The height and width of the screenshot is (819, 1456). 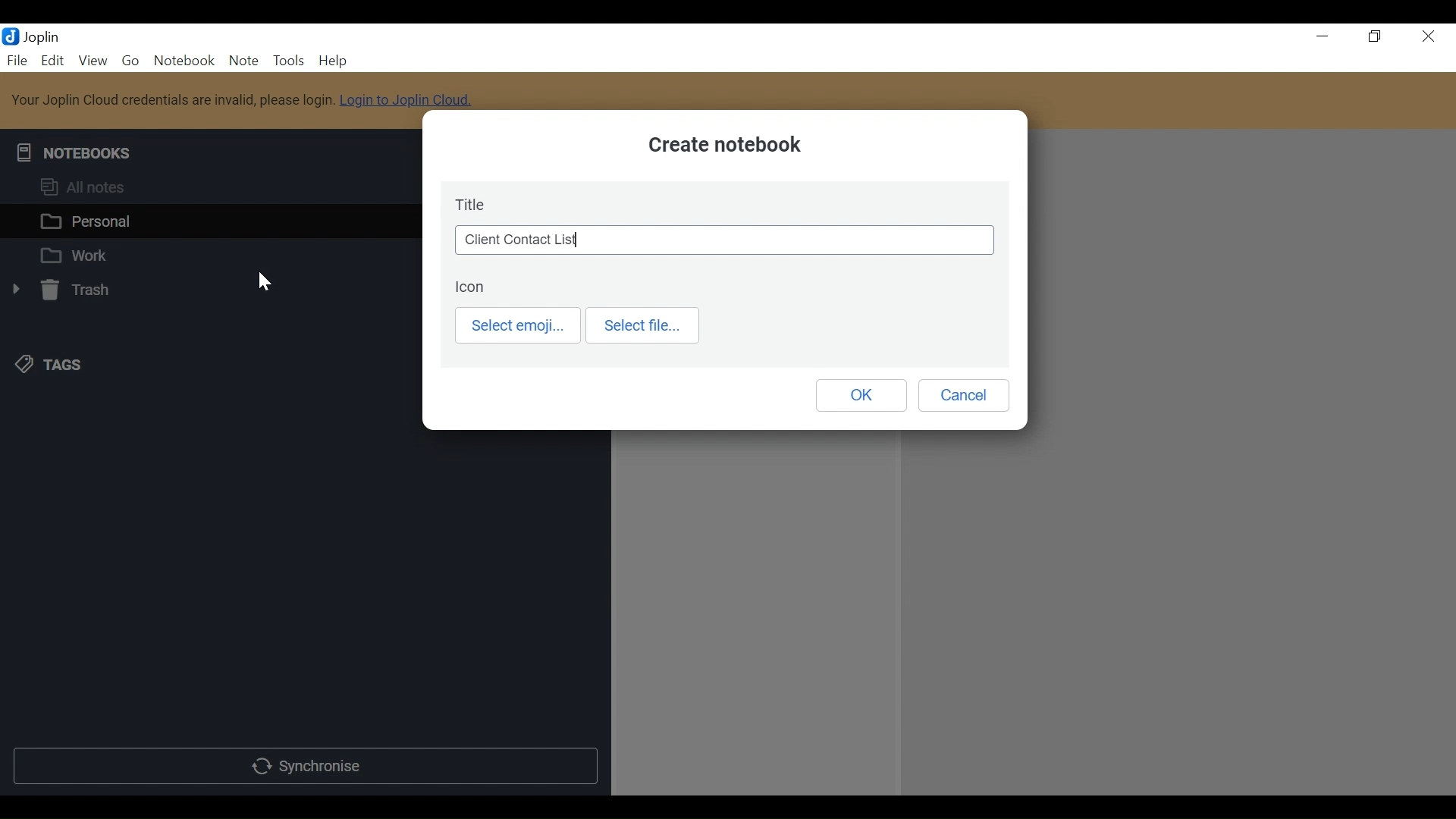 What do you see at coordinates (468, 285) in the screenshot?
I see `Icon` at bounding box center [468, 285].